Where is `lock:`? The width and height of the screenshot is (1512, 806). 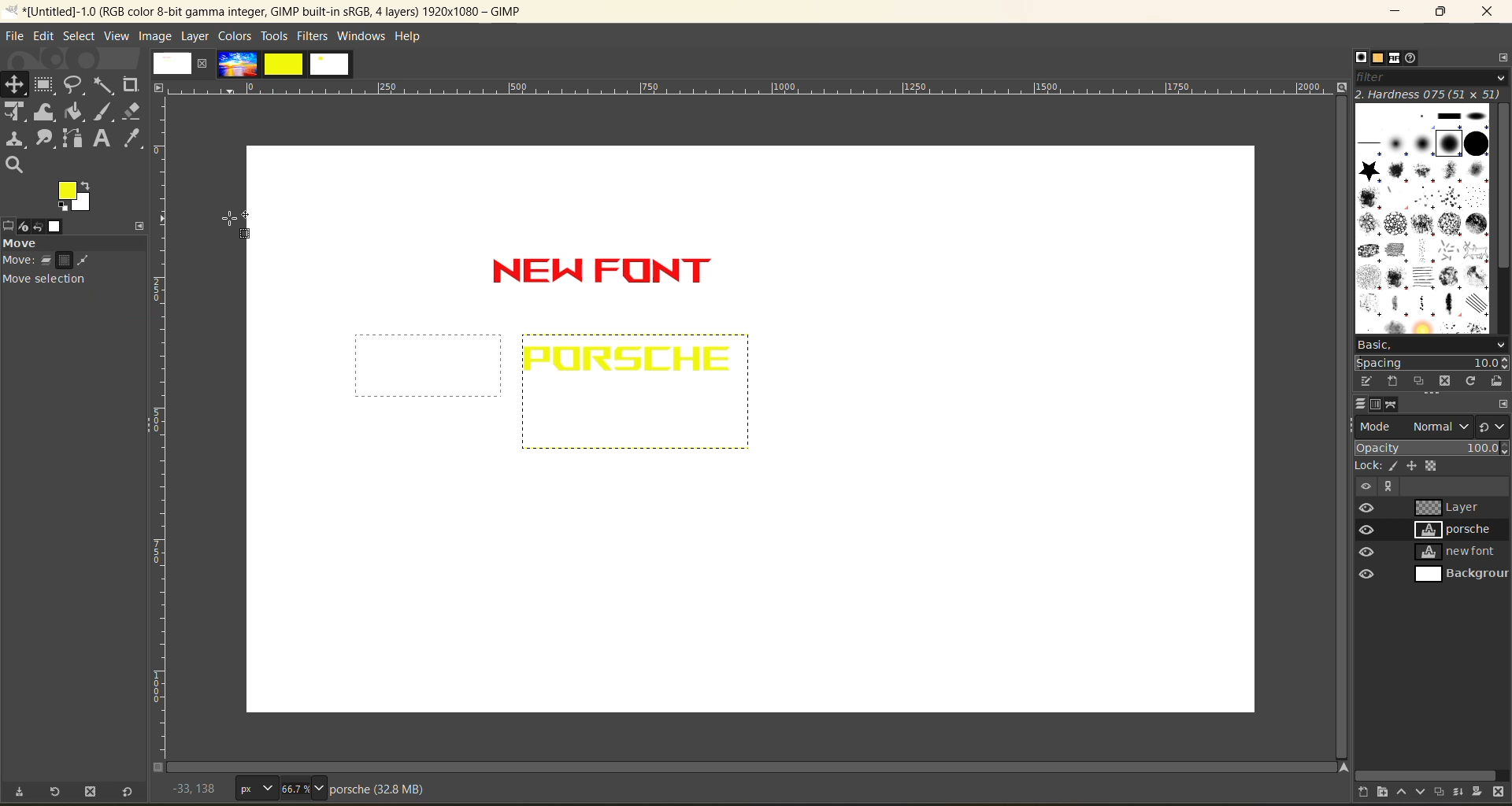 lock: is located at coordinates (1362, 467).